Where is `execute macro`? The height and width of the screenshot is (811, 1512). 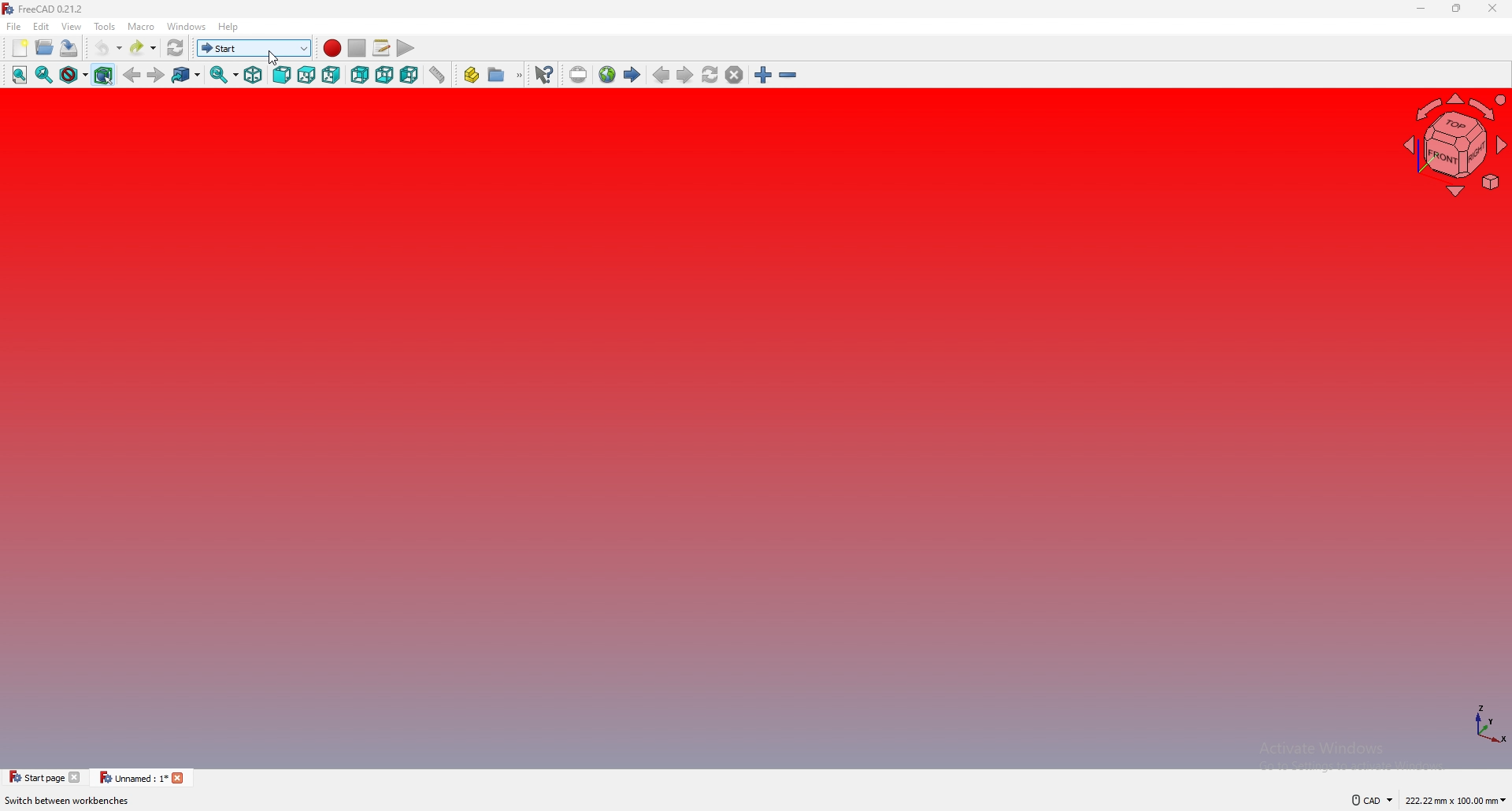
execute macro is located at coordinates (406, 48).